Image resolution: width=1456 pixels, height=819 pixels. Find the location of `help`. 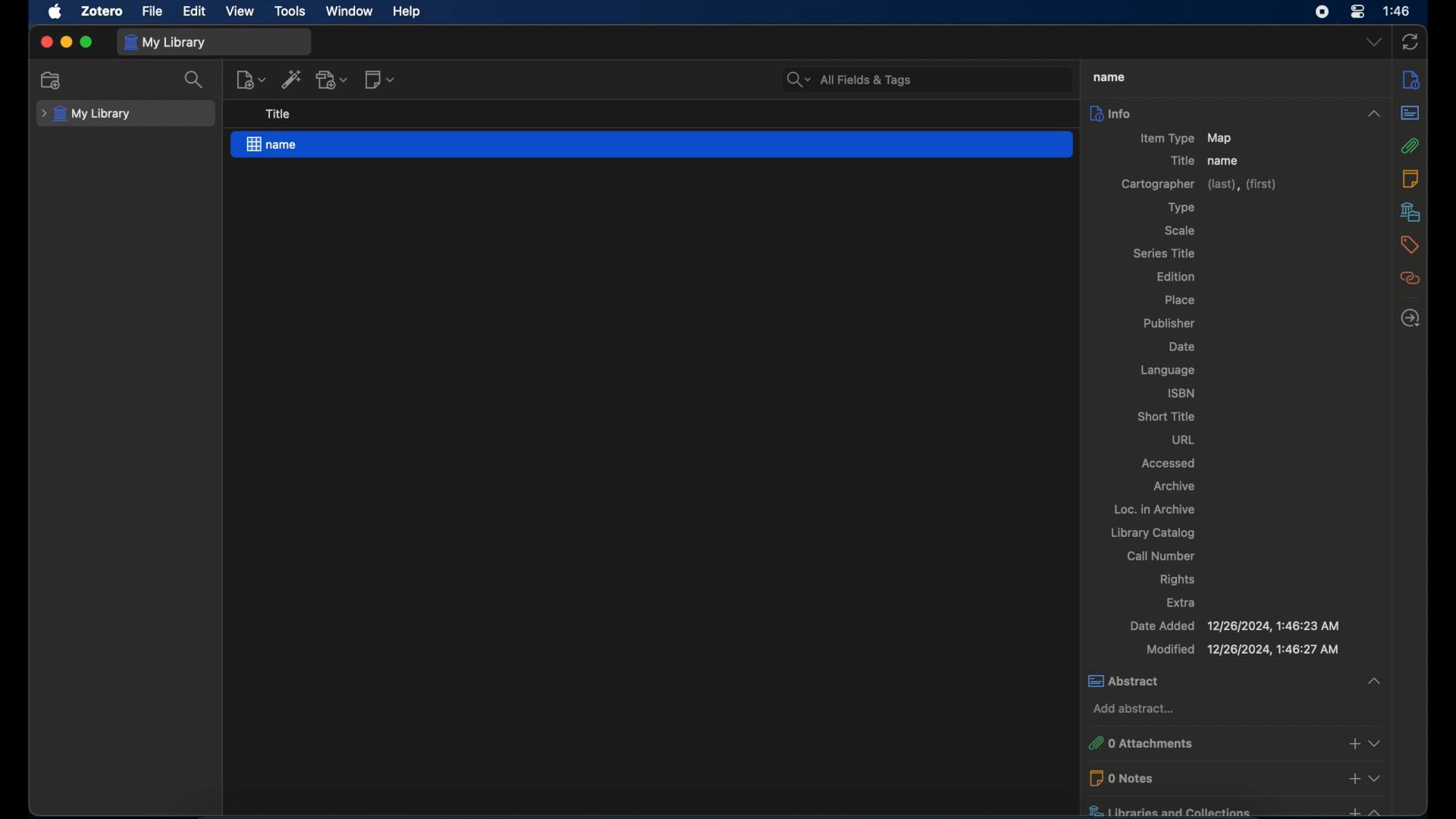

help is located at coordinates (406, 11).